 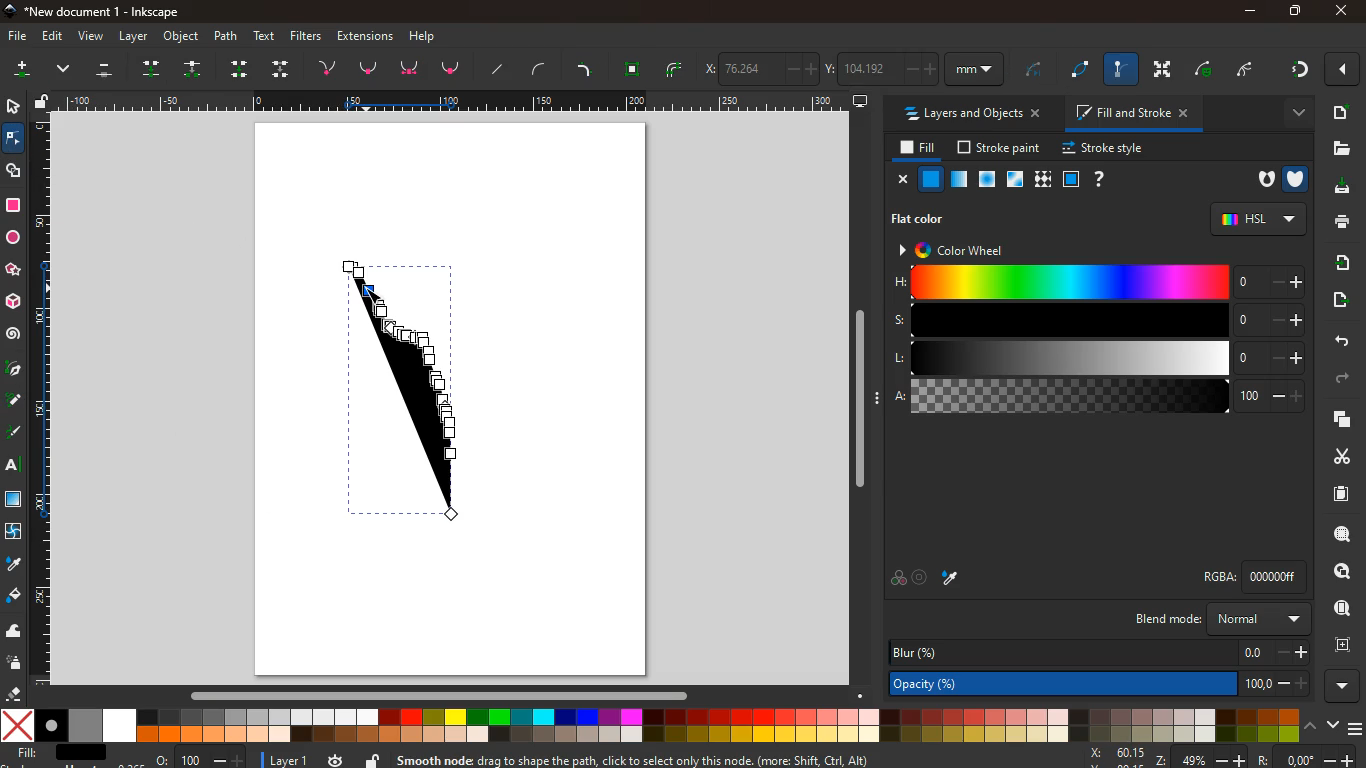 What do you see at coordinates (11, 105) in the screenshot?
I see `select` at bounding box center [11, 105].